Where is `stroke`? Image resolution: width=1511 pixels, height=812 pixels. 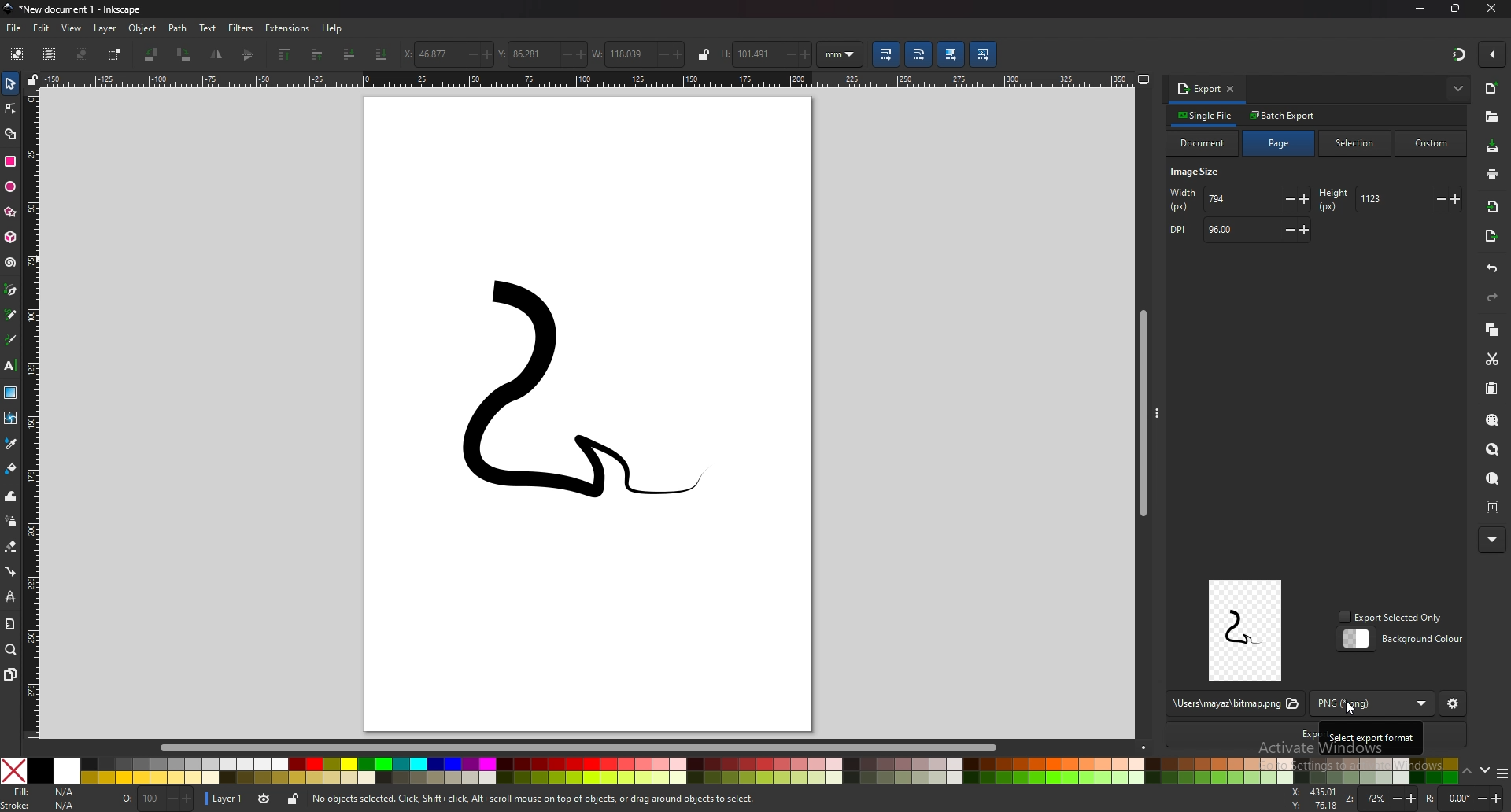
stroke is located at coordinates (39, 805).